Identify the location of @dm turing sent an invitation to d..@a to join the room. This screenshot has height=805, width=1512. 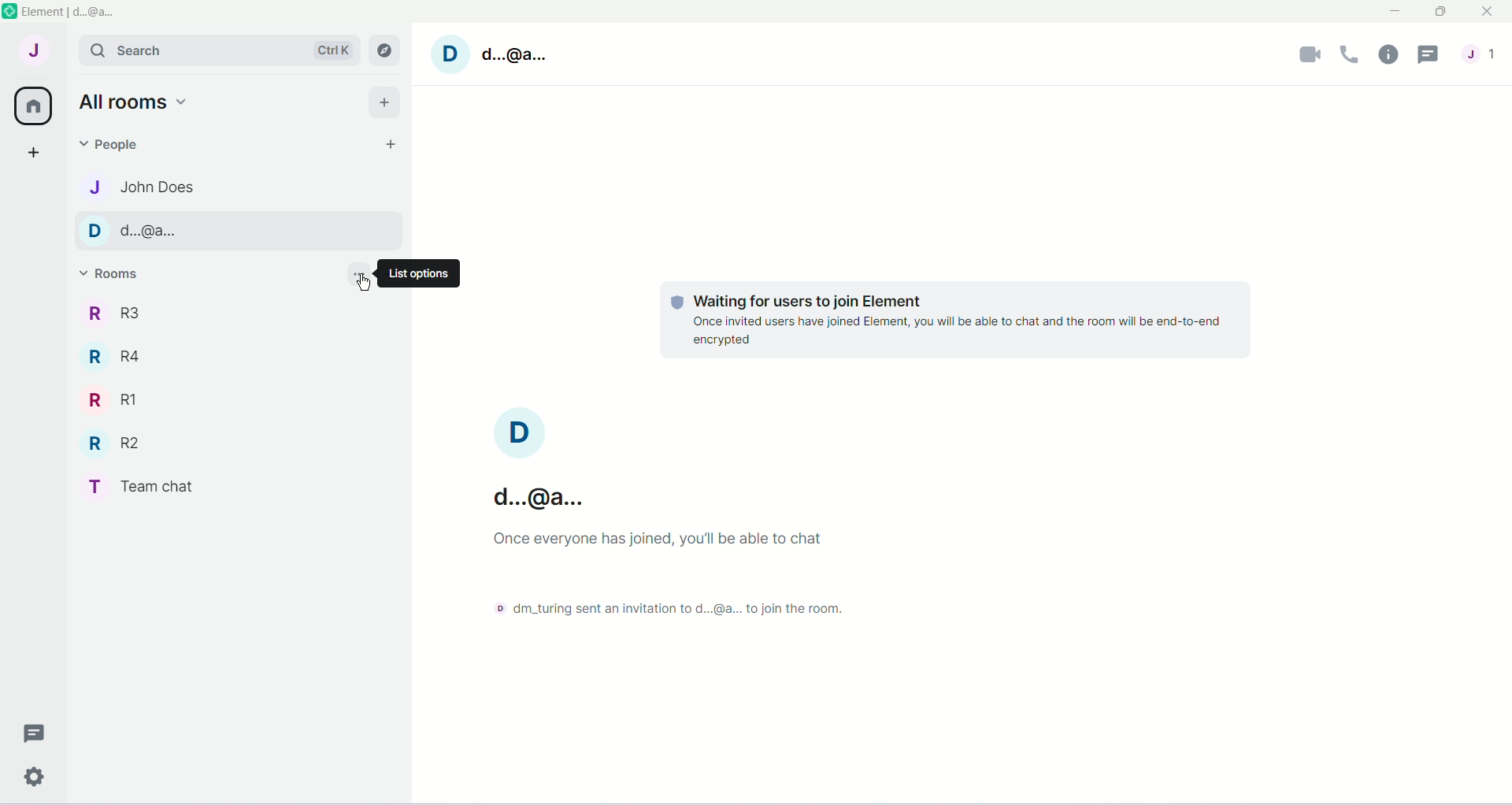
(667, 611).